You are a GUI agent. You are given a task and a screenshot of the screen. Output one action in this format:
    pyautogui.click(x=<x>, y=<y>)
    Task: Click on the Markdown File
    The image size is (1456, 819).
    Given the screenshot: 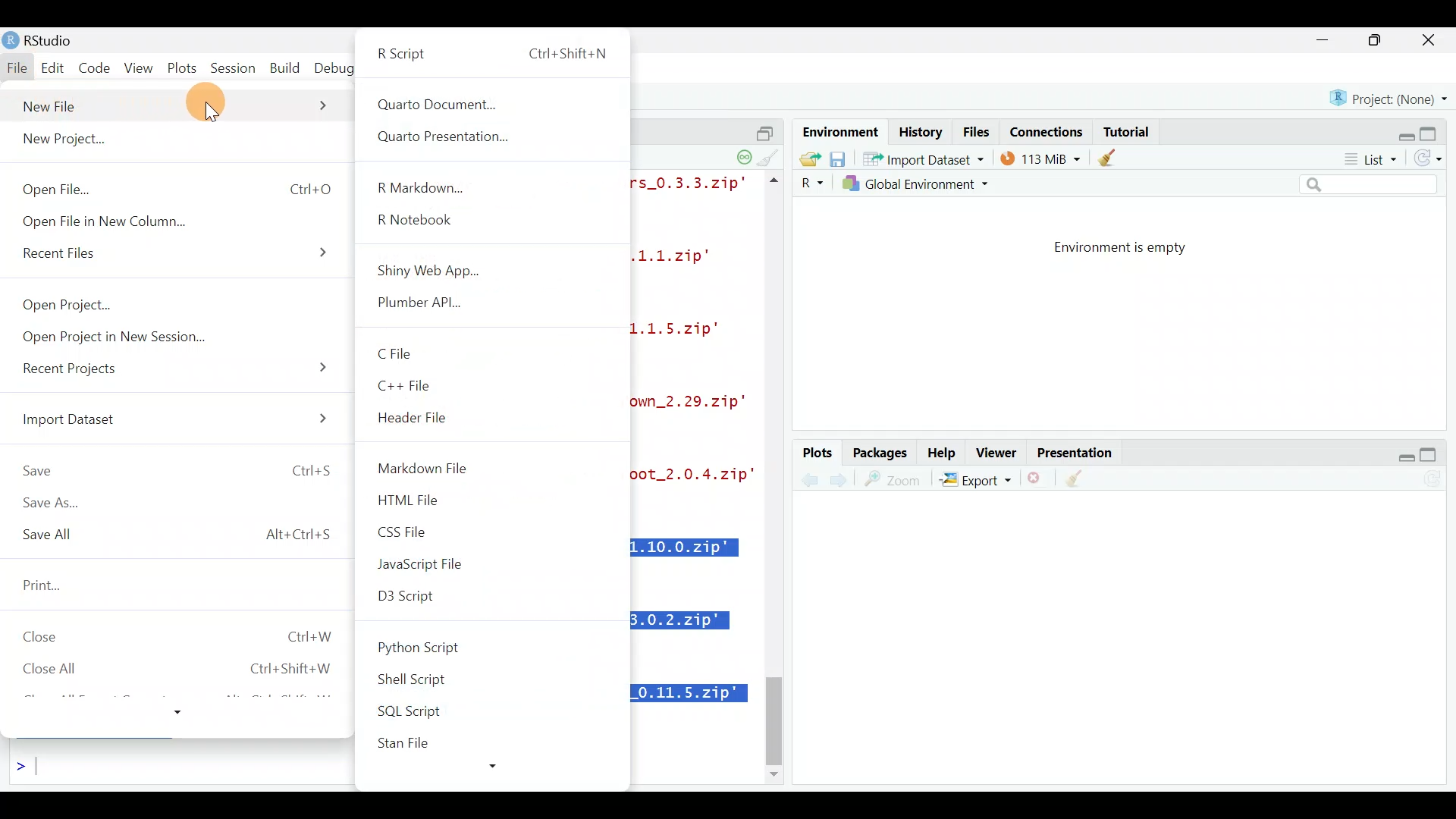 What is the action you would take?
    pyautogui.click(x=422, y=465)
    